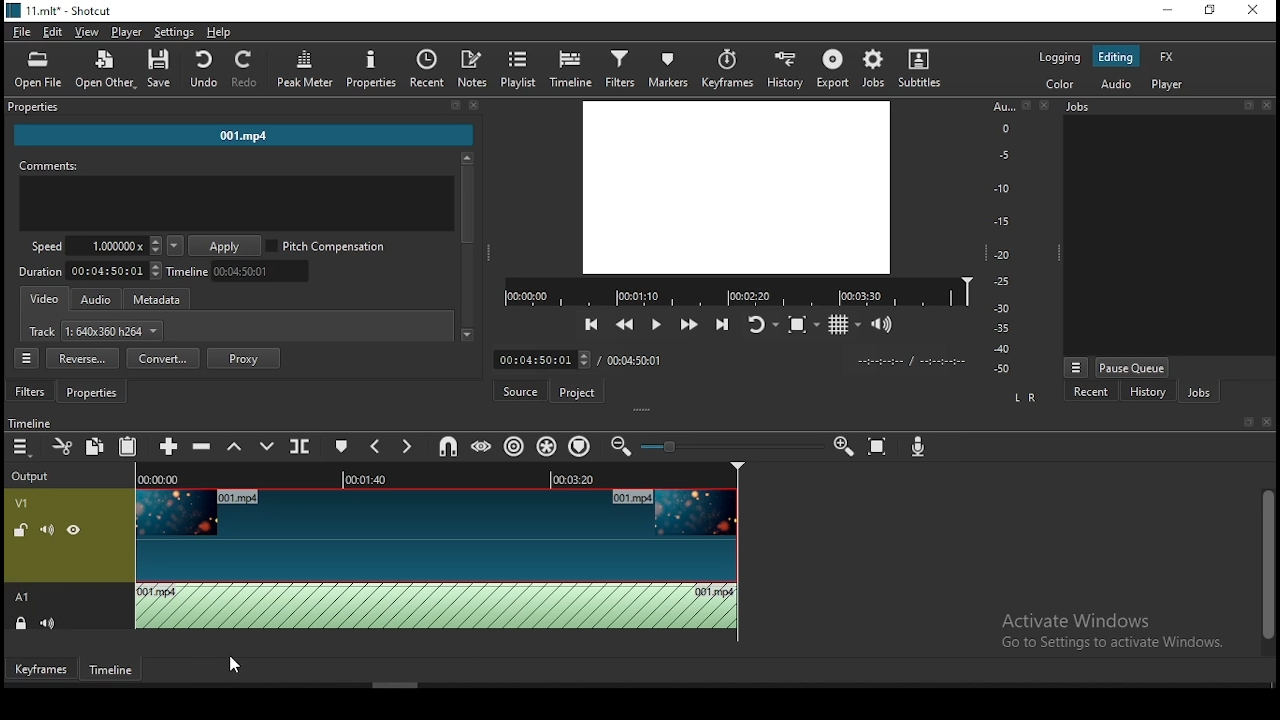 The width and height of the screenshot is (1280, 720). Describe the element at coordinates (785, 67) in the screenshot. I see `history` at that location.